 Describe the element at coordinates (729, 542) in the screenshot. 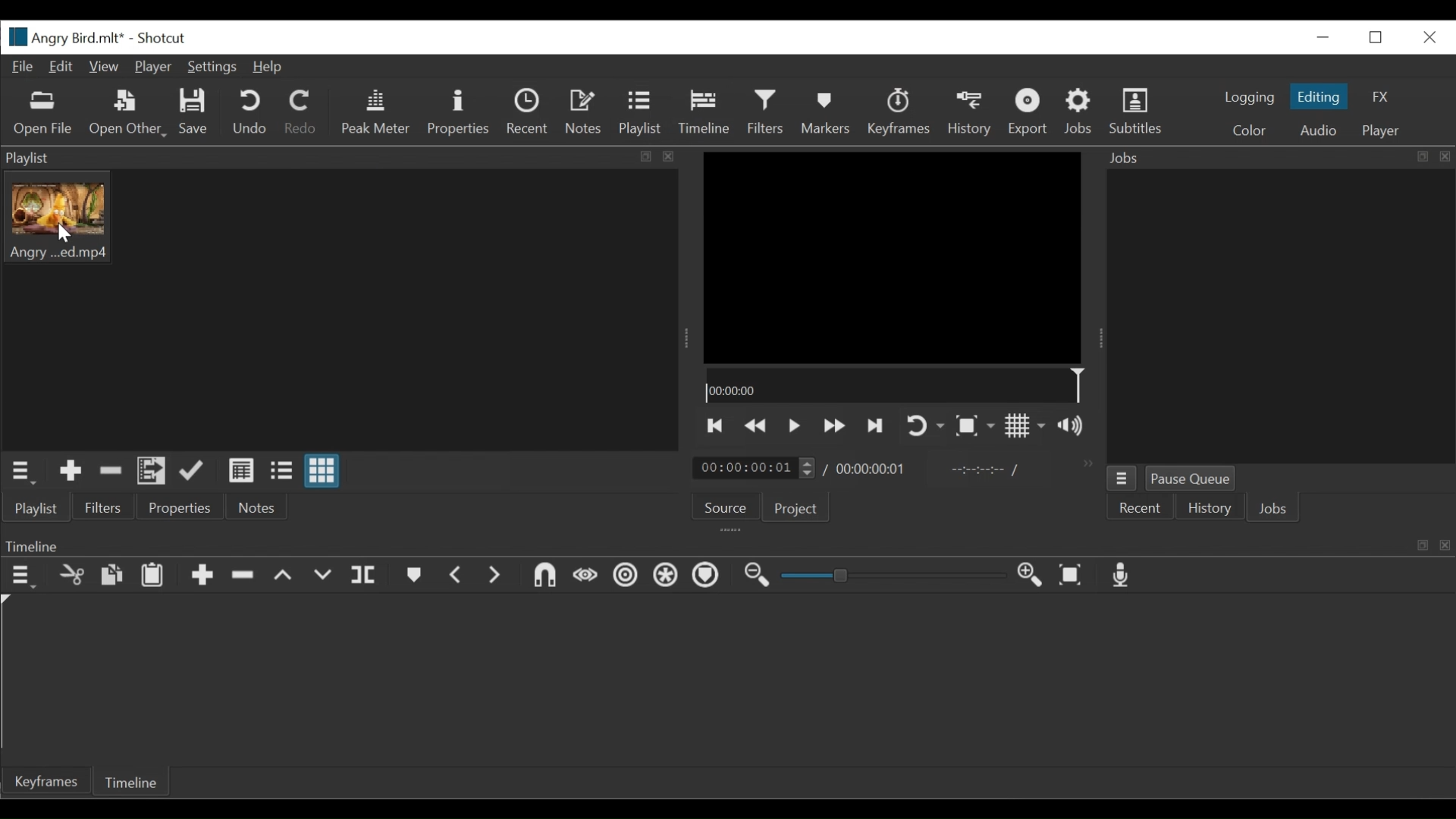

I see `Timeline Panel` at that location.